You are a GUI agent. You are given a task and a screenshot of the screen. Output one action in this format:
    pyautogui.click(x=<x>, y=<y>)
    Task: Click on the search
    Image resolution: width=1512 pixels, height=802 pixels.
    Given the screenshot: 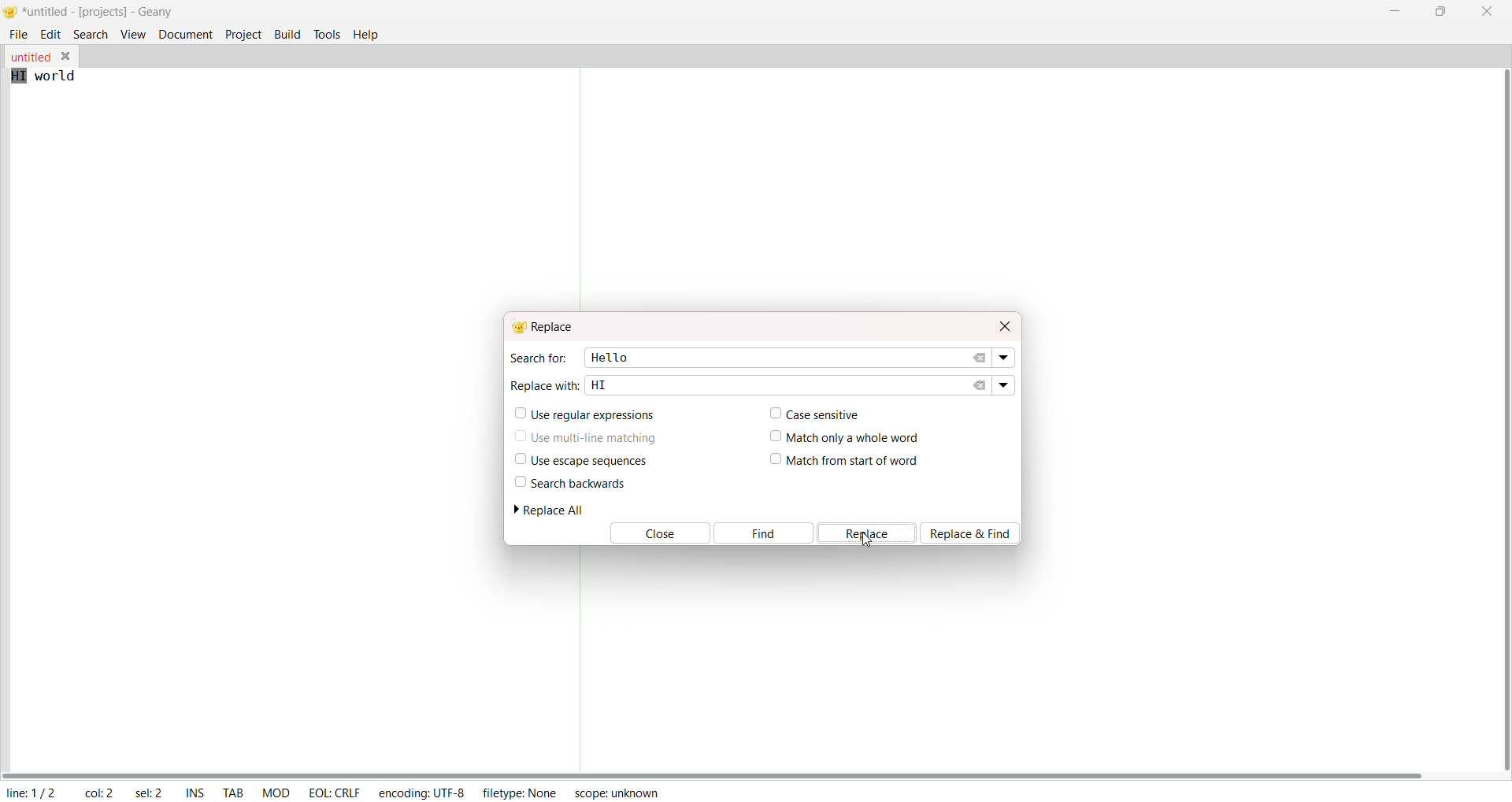 What is the action you would take?
    pyautogui.click(x=91, y=33)
    